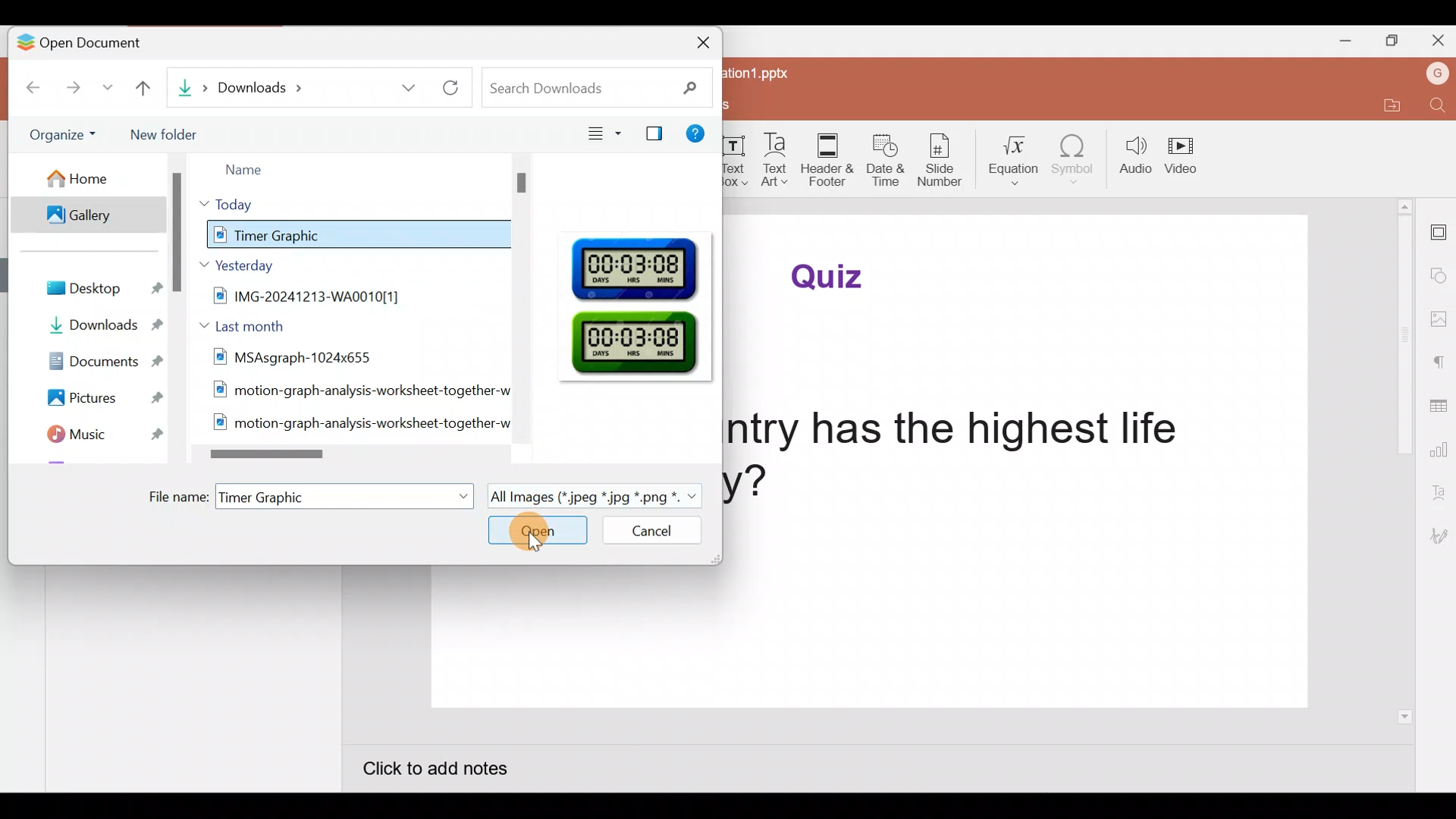 This screenshot has width=1456, height=819. Describe the element at coordinates (293, 168) in the screenshot. I see `Name` at that location.